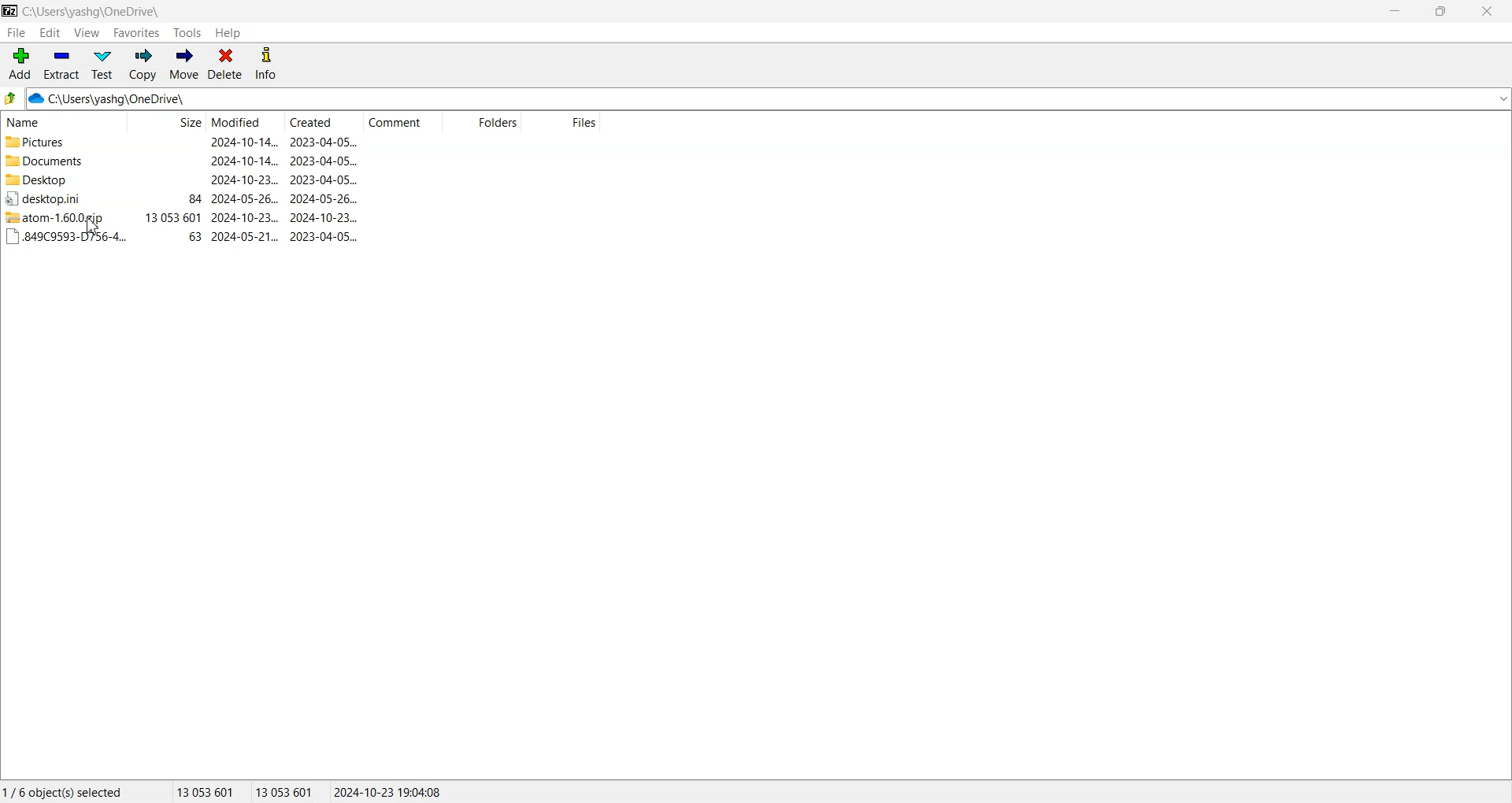 This screenshot has width=1512, height=803. What do you see at coordinates (562, 123) in the screenshot?
I see `Files` at bounding box center [562, 123].